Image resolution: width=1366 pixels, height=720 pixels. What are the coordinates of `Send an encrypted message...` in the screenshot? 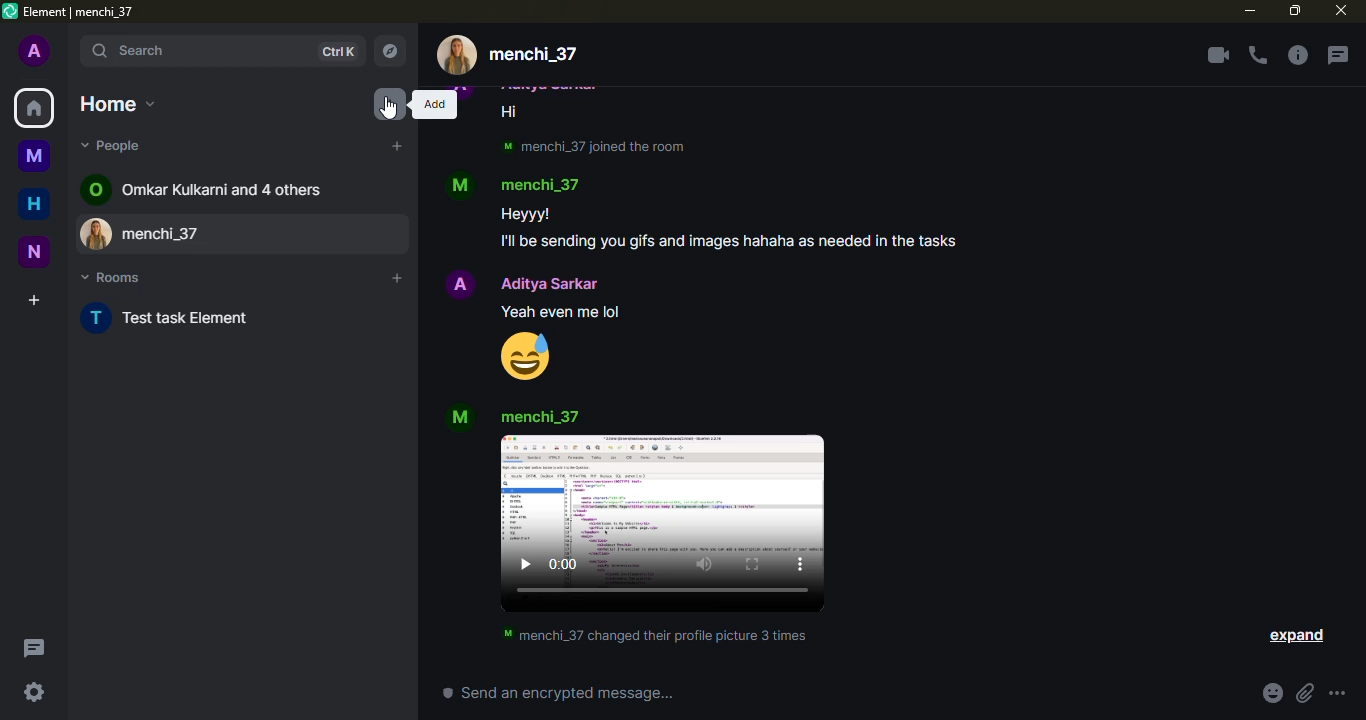 It's located at (558, 692).